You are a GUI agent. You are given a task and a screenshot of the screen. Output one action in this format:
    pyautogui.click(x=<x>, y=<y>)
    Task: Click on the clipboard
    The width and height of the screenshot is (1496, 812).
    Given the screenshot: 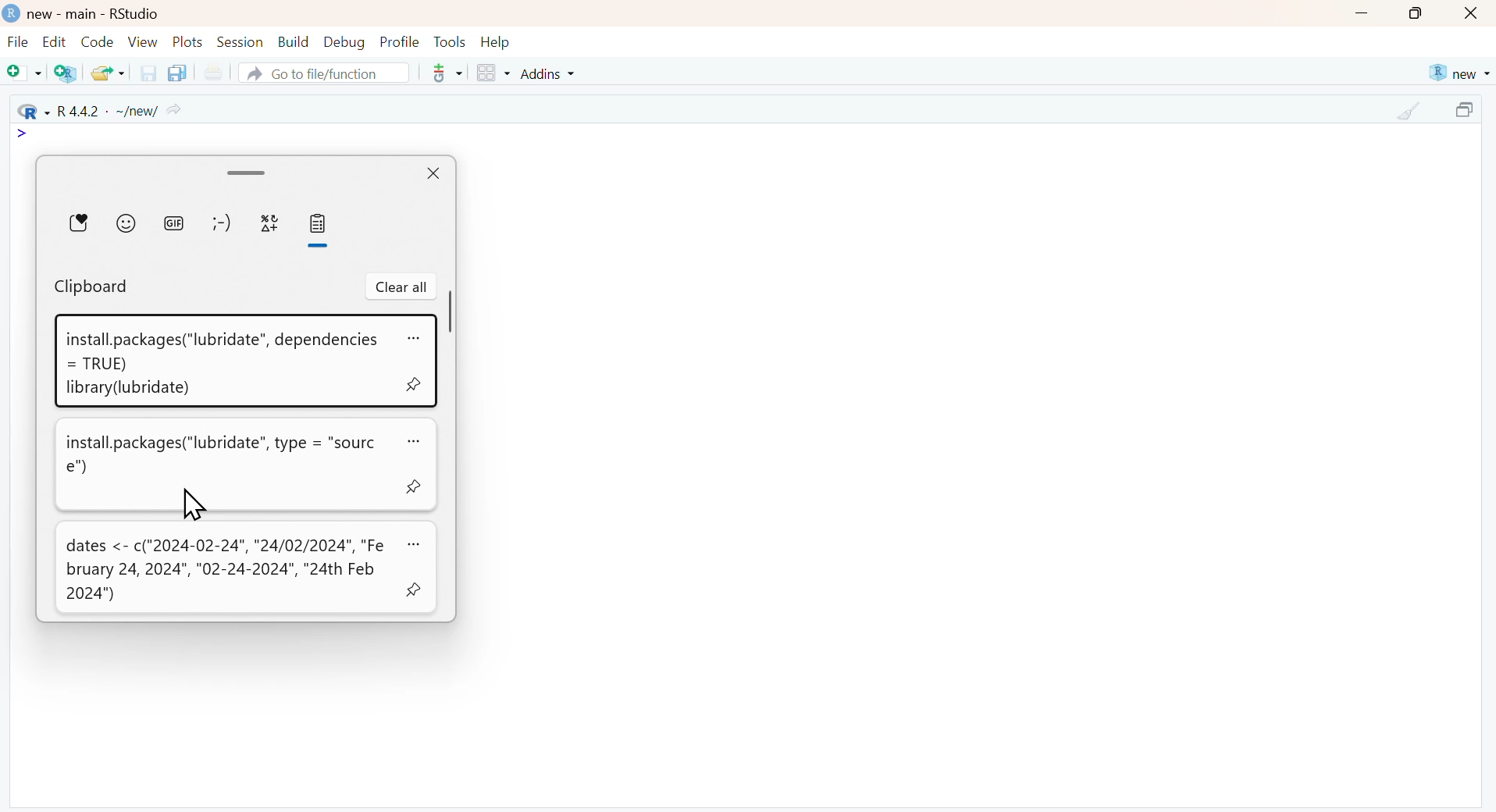 What is the action you would take?
    pyautogui.click(x=319, y=224)
    